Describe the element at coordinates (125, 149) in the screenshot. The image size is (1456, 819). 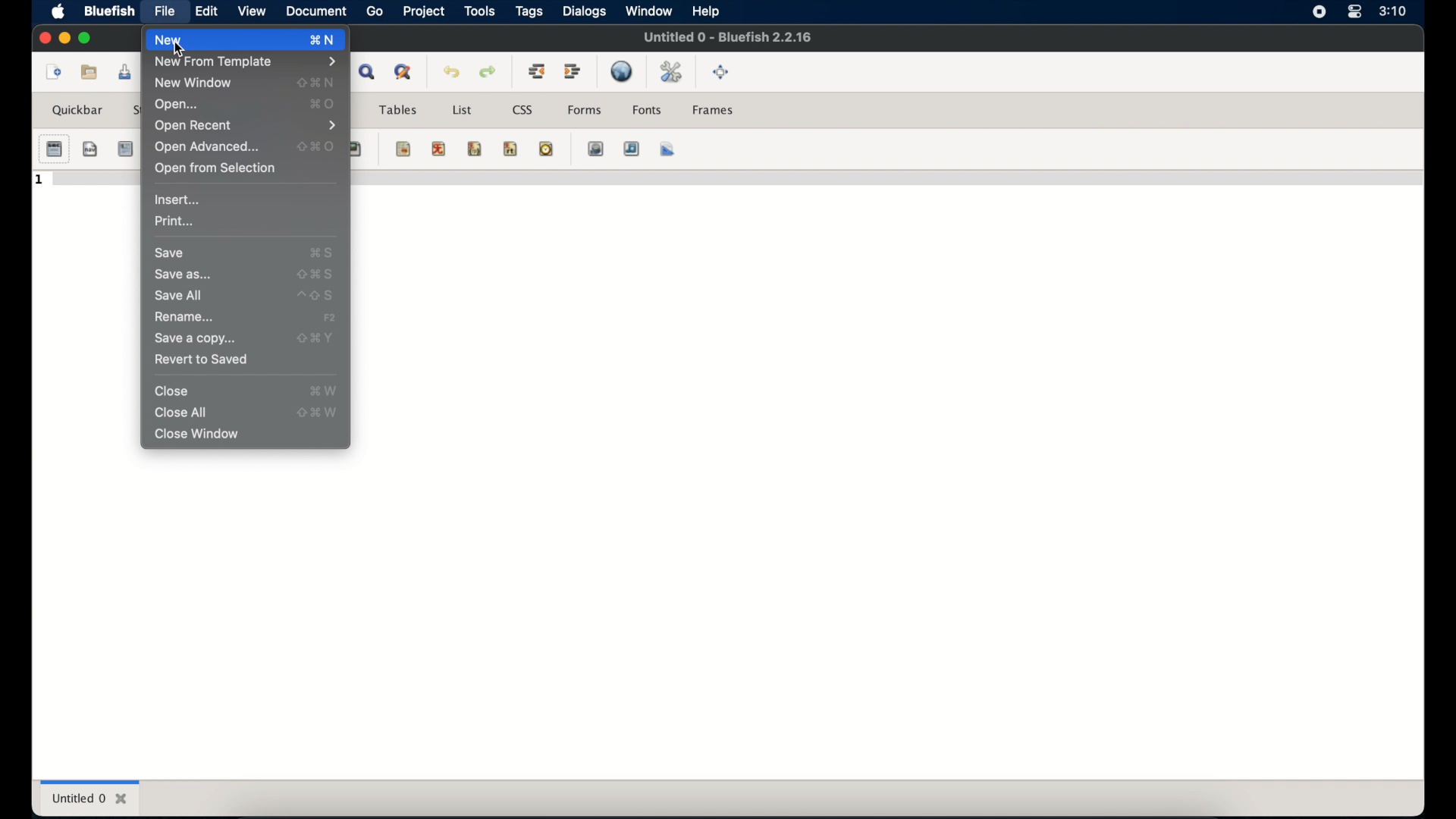
I see `article` at that location.